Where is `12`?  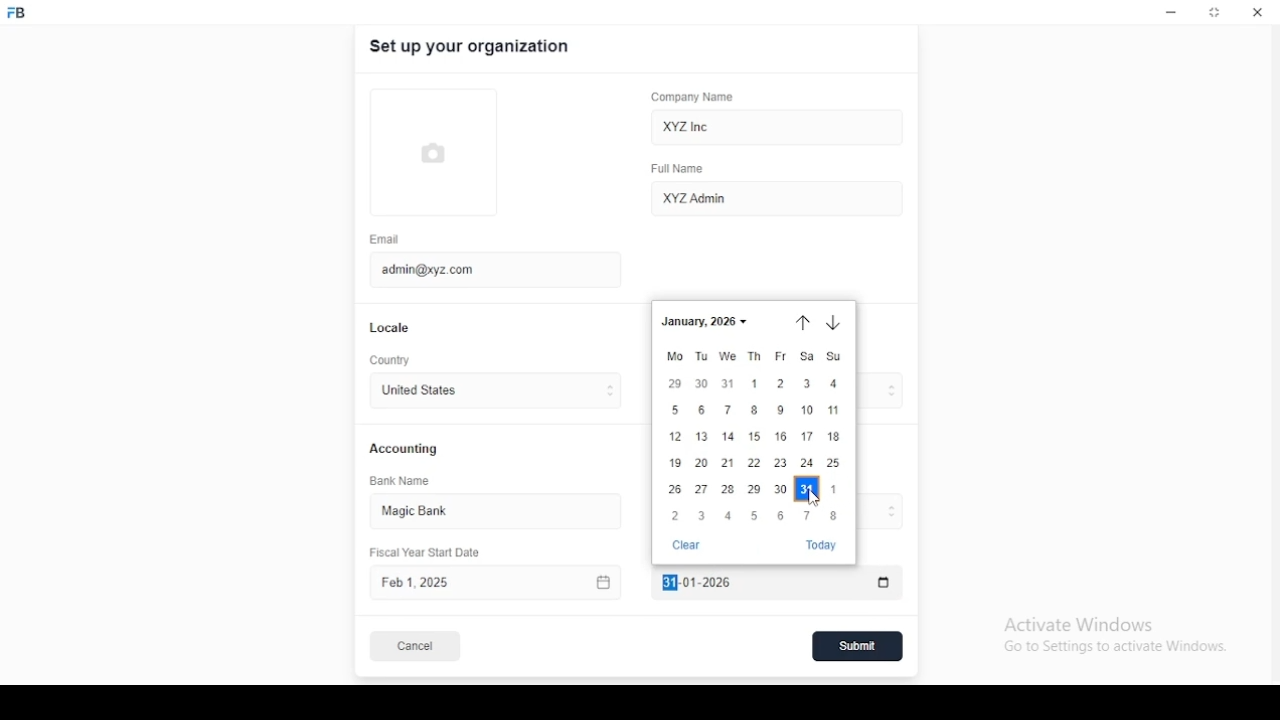 12 is located at coordinates (673, 439).